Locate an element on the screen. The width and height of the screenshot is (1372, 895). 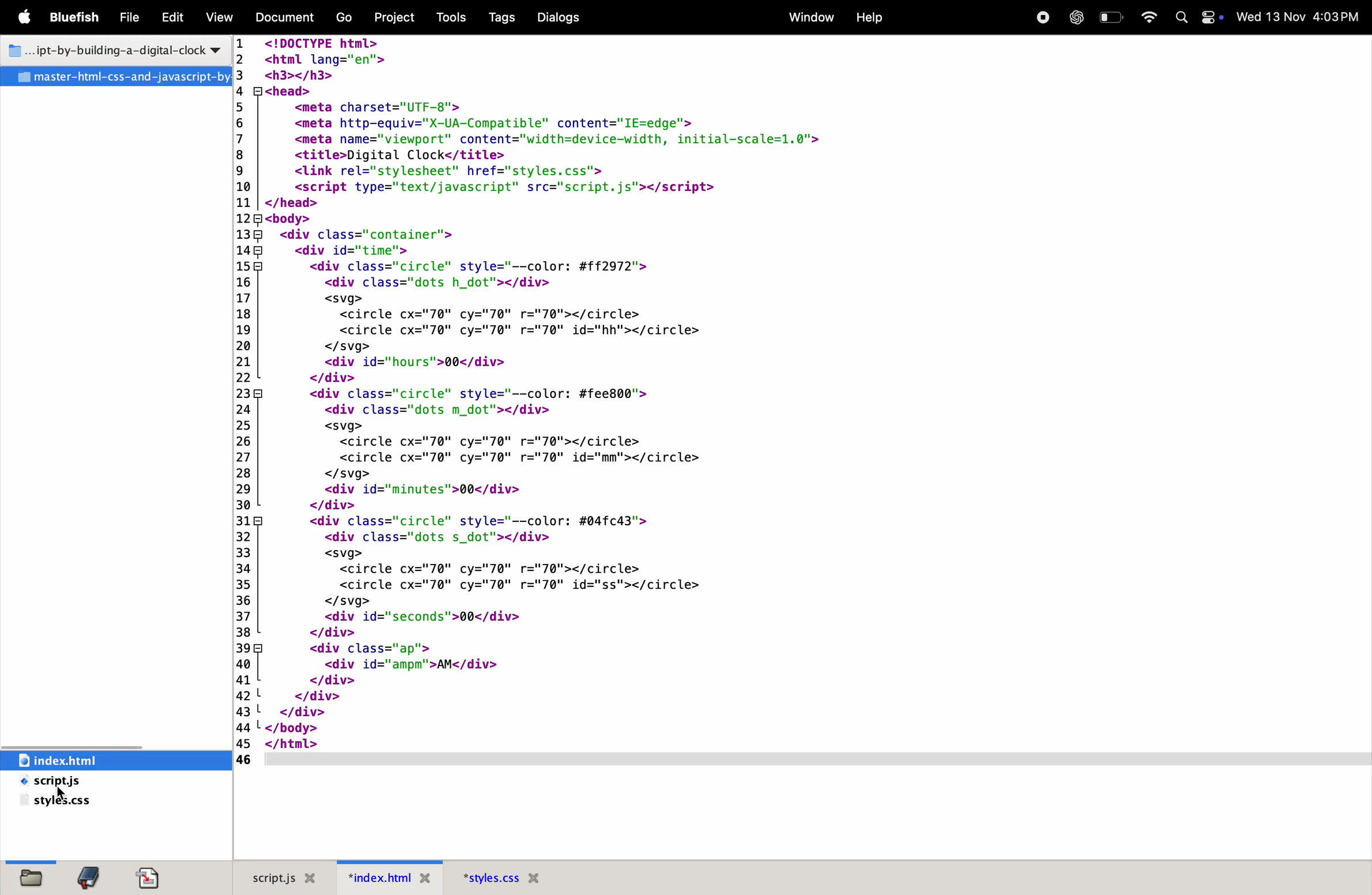
Document is located at coordinates (283, 18).